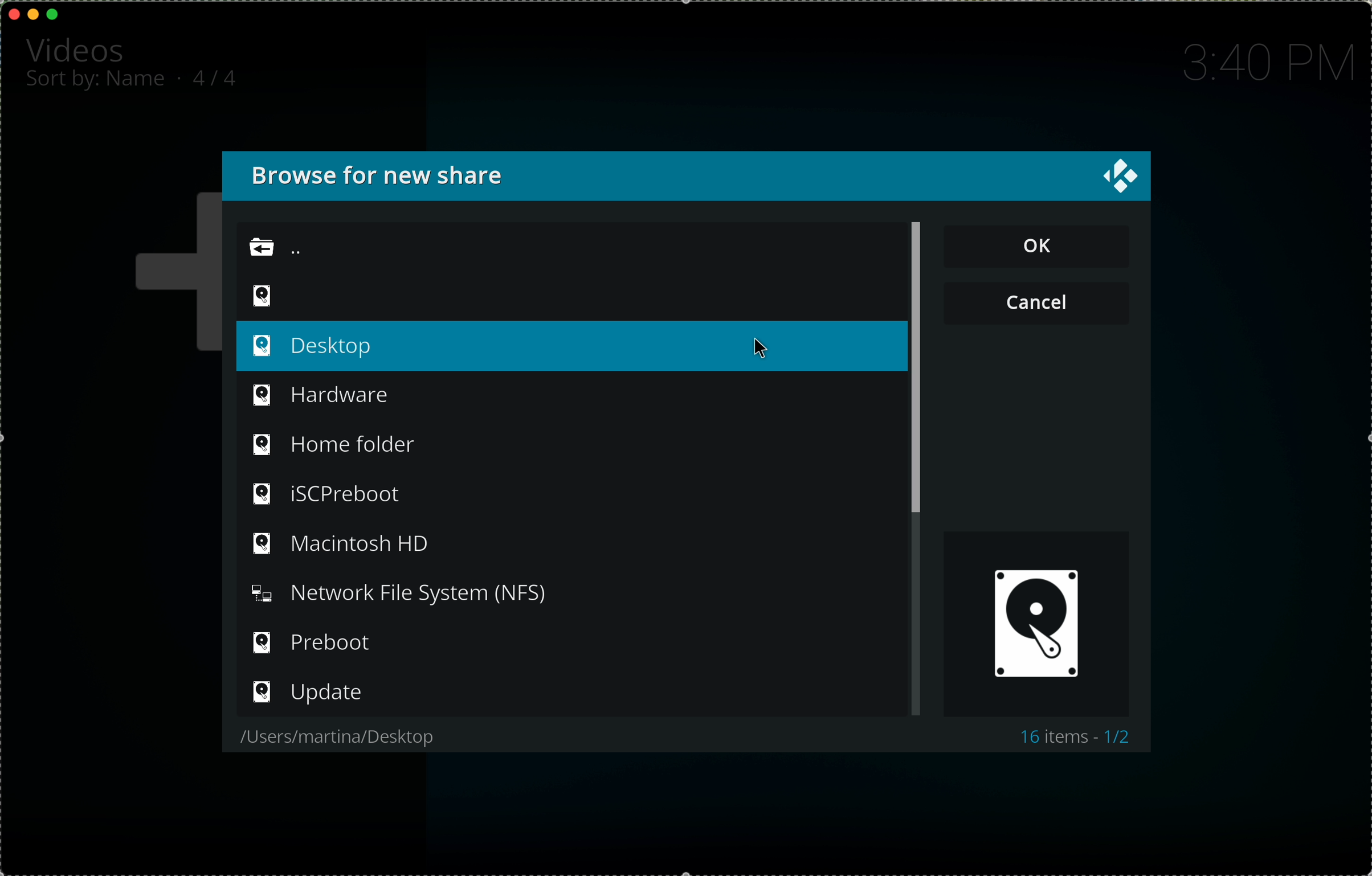 The height and width of the screenshot is (876, 1372). What do you see at coordinates (78, 48) in the screenshot?
I see `videos` at bounding box center [78, 48].